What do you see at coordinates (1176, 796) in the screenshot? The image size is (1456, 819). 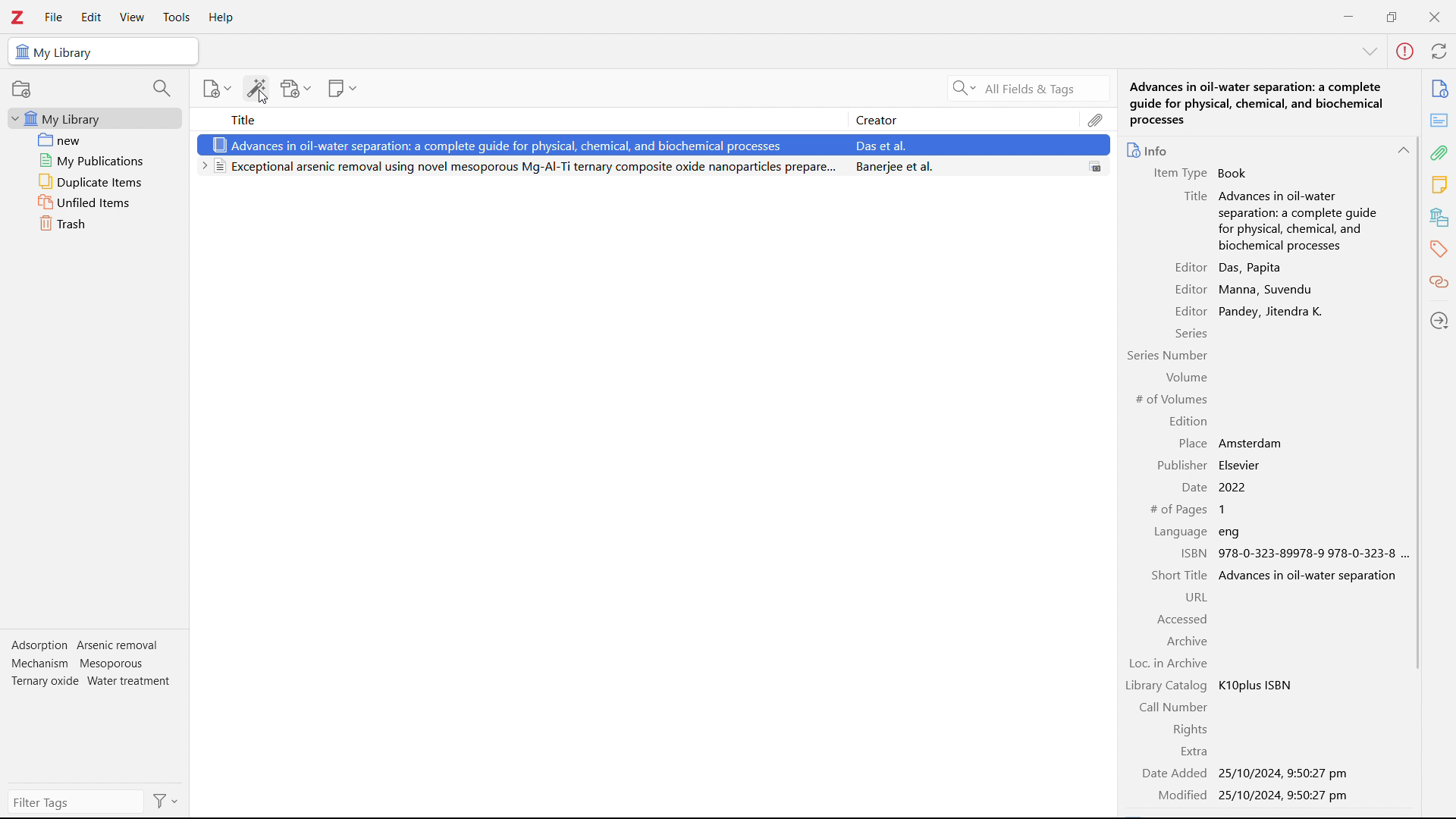 I see `Modified` at bounding box center [1176, 796].